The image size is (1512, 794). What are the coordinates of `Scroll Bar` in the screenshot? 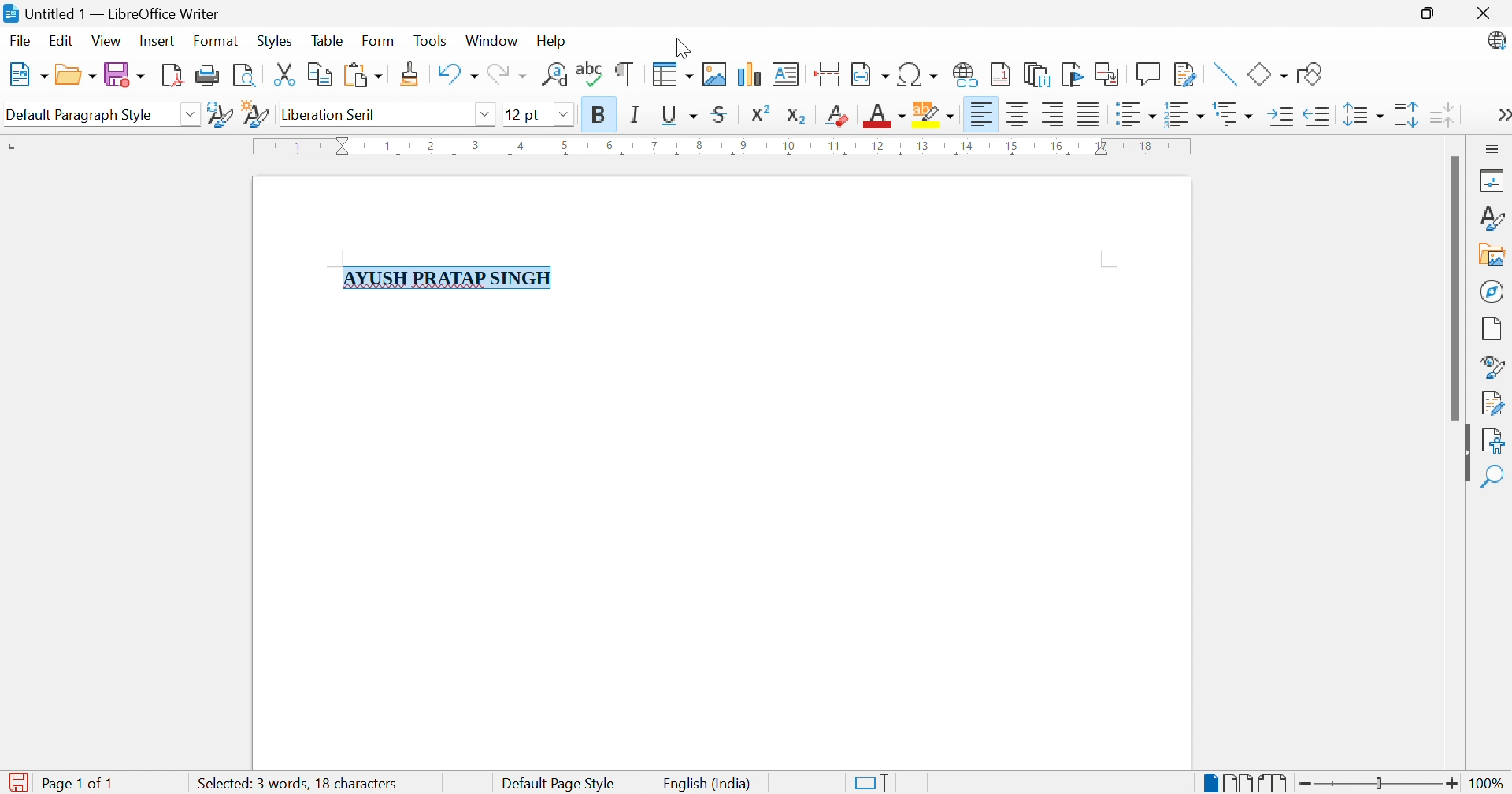 It's located at (1452, 288).